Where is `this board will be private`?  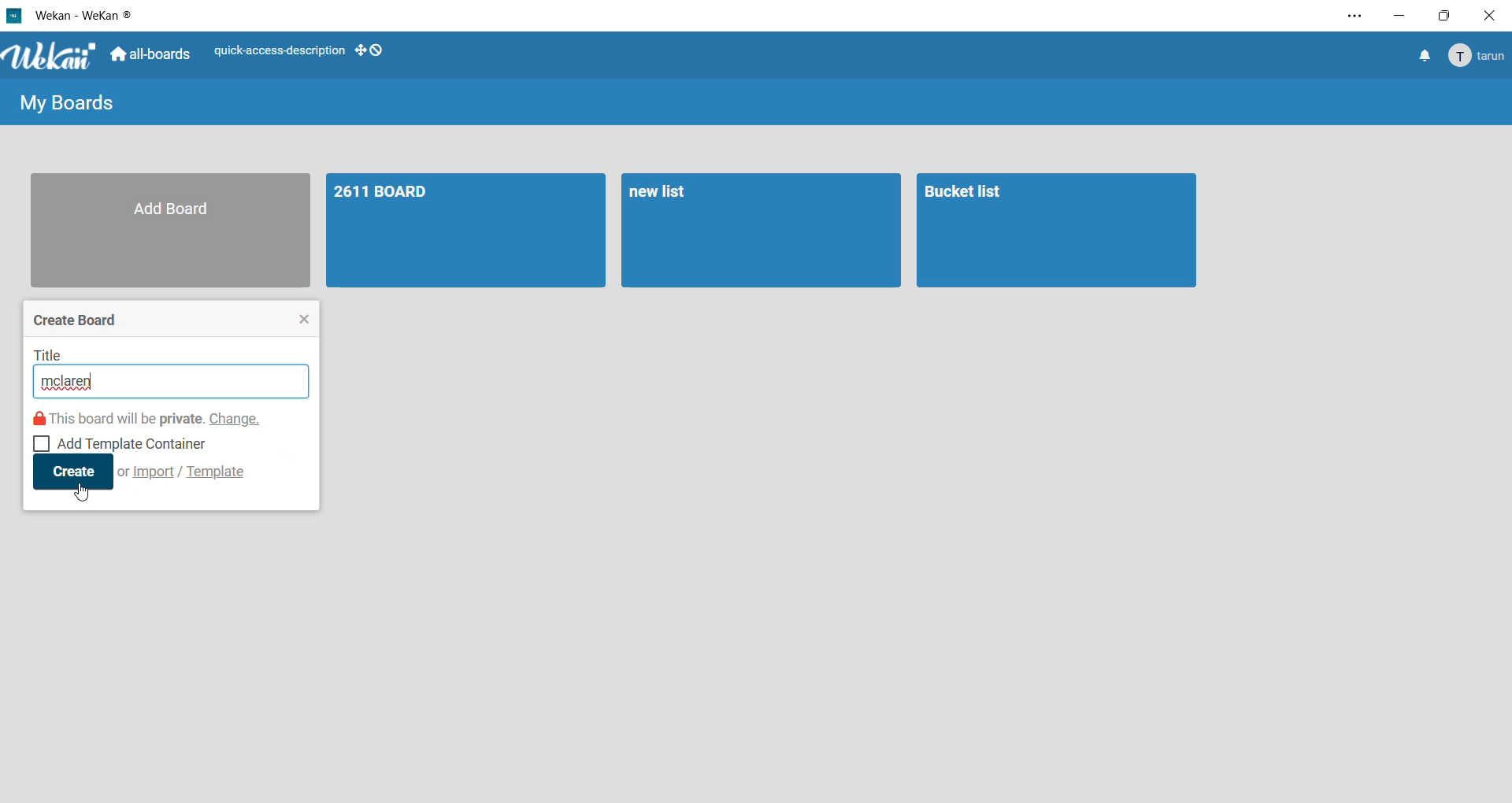
this board will be private is located at coordinates (142, 419).